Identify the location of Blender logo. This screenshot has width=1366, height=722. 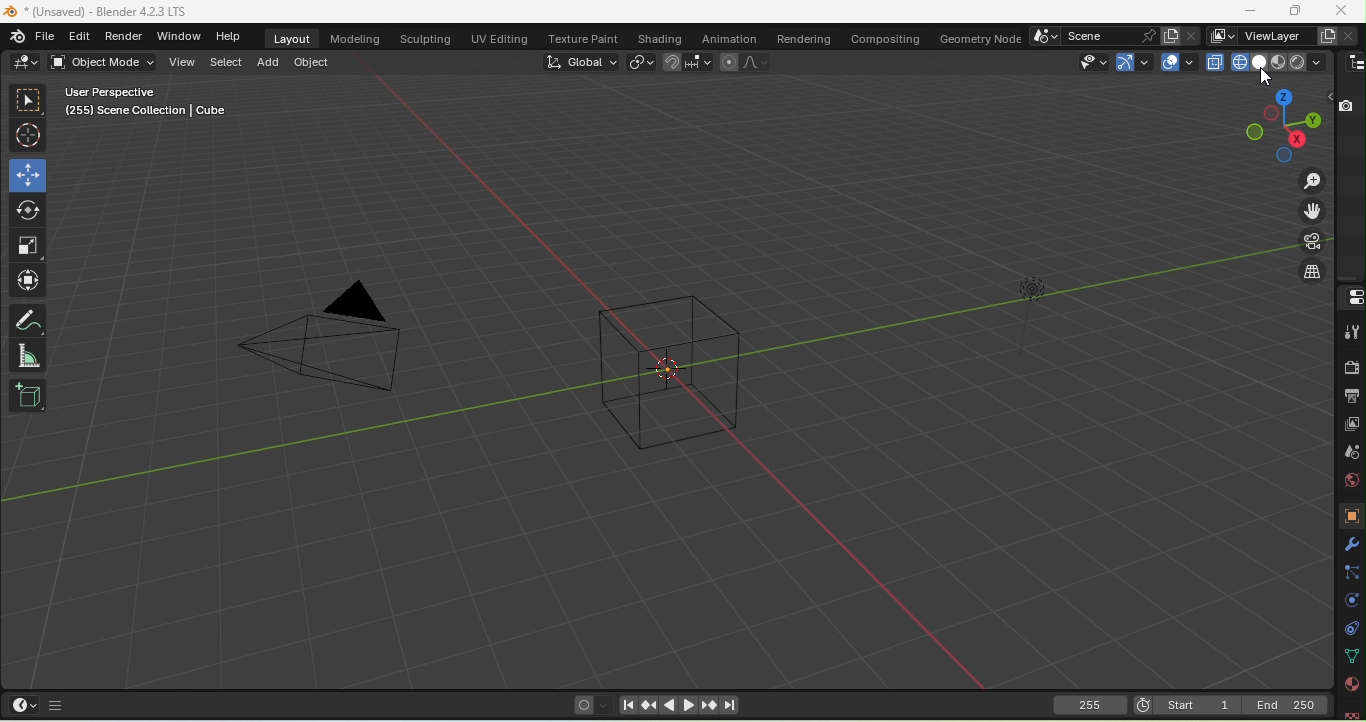
(16, 37).